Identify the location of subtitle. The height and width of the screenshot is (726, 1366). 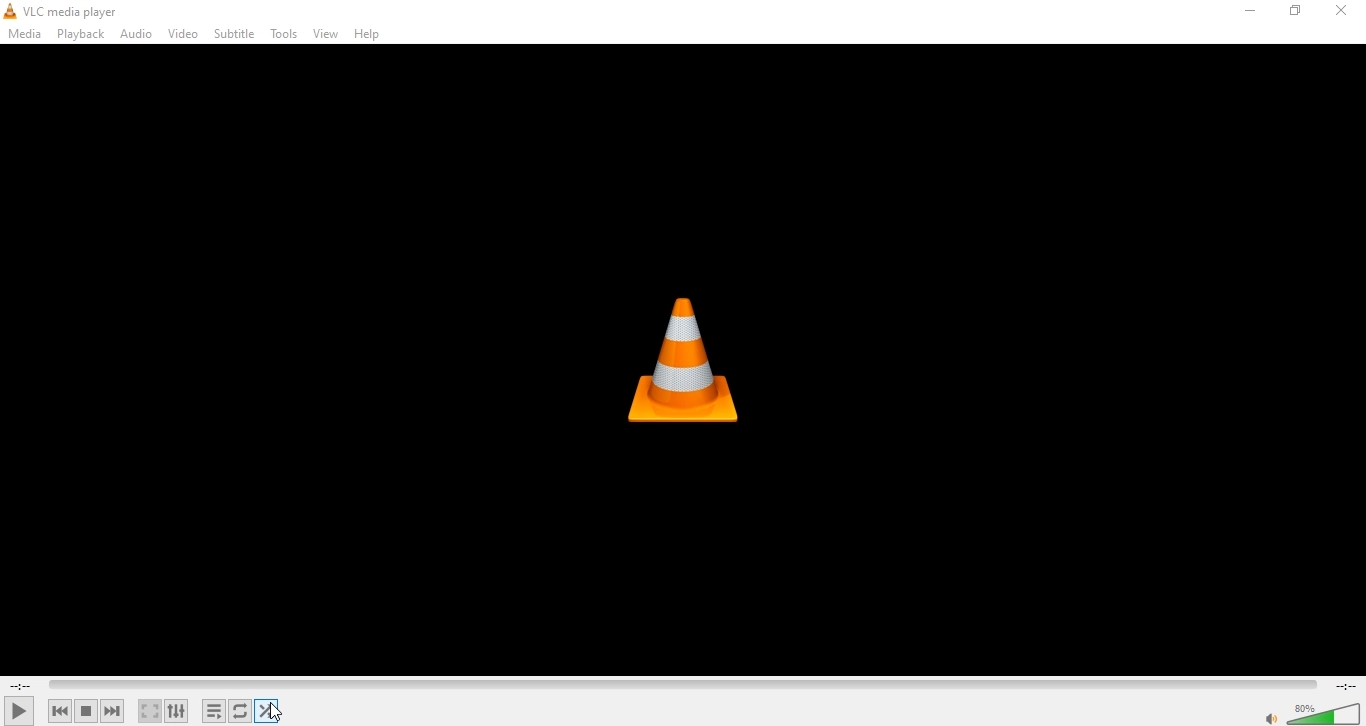
(233, 35).